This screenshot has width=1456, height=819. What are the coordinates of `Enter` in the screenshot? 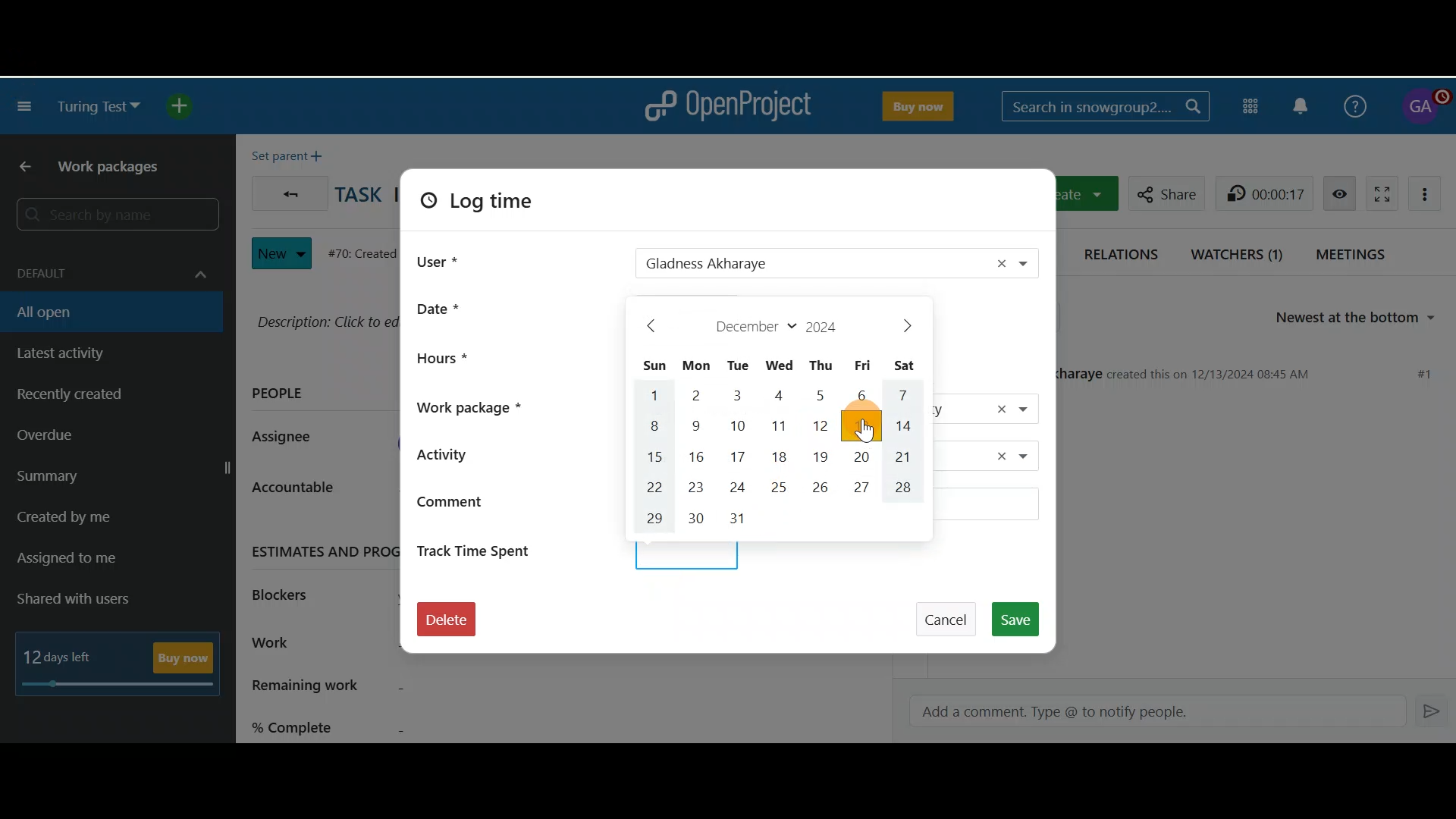 It's located at (1433, 710).